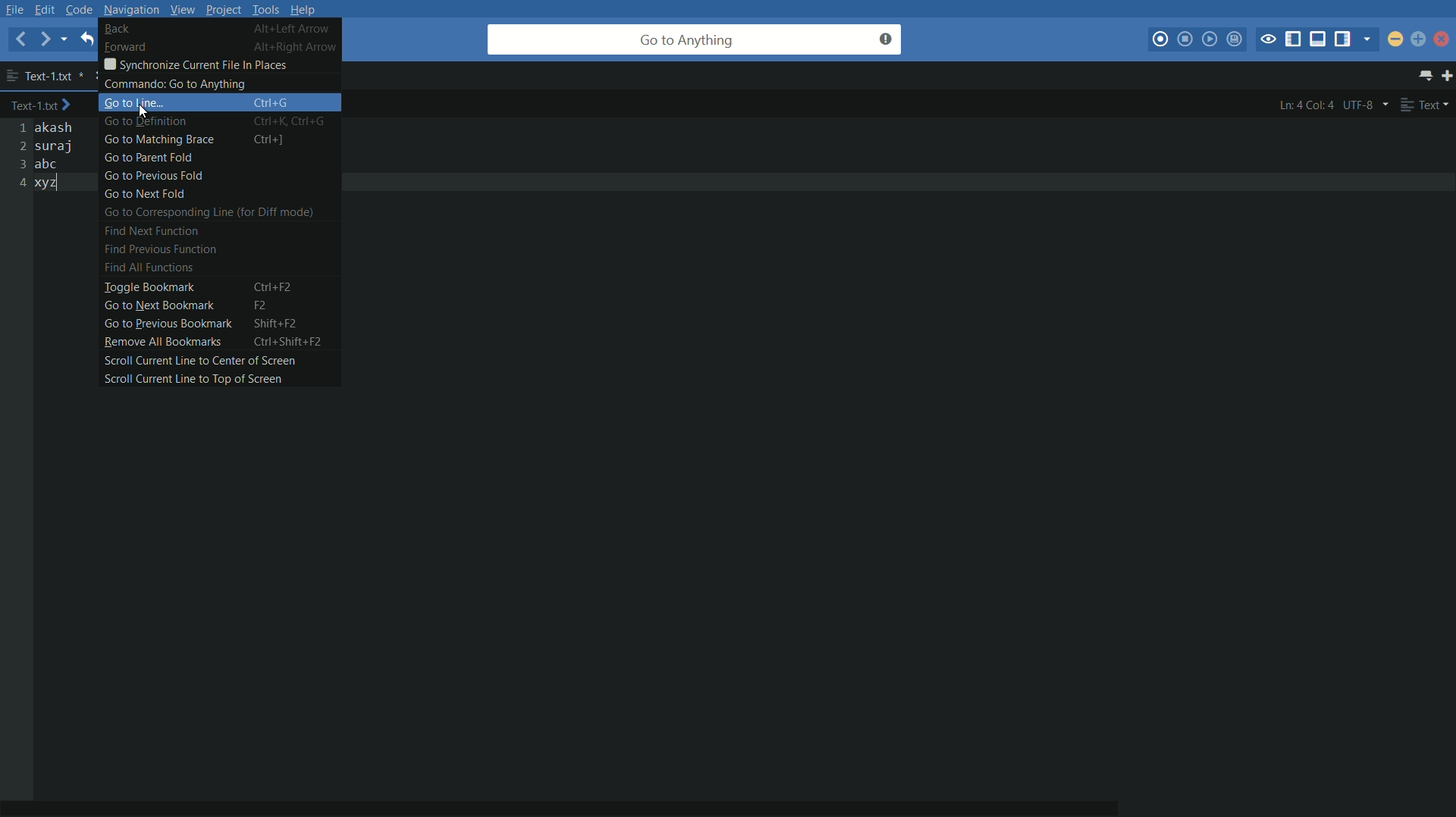  I want to click on show specific sidebar/tab, so click(1370, 39).